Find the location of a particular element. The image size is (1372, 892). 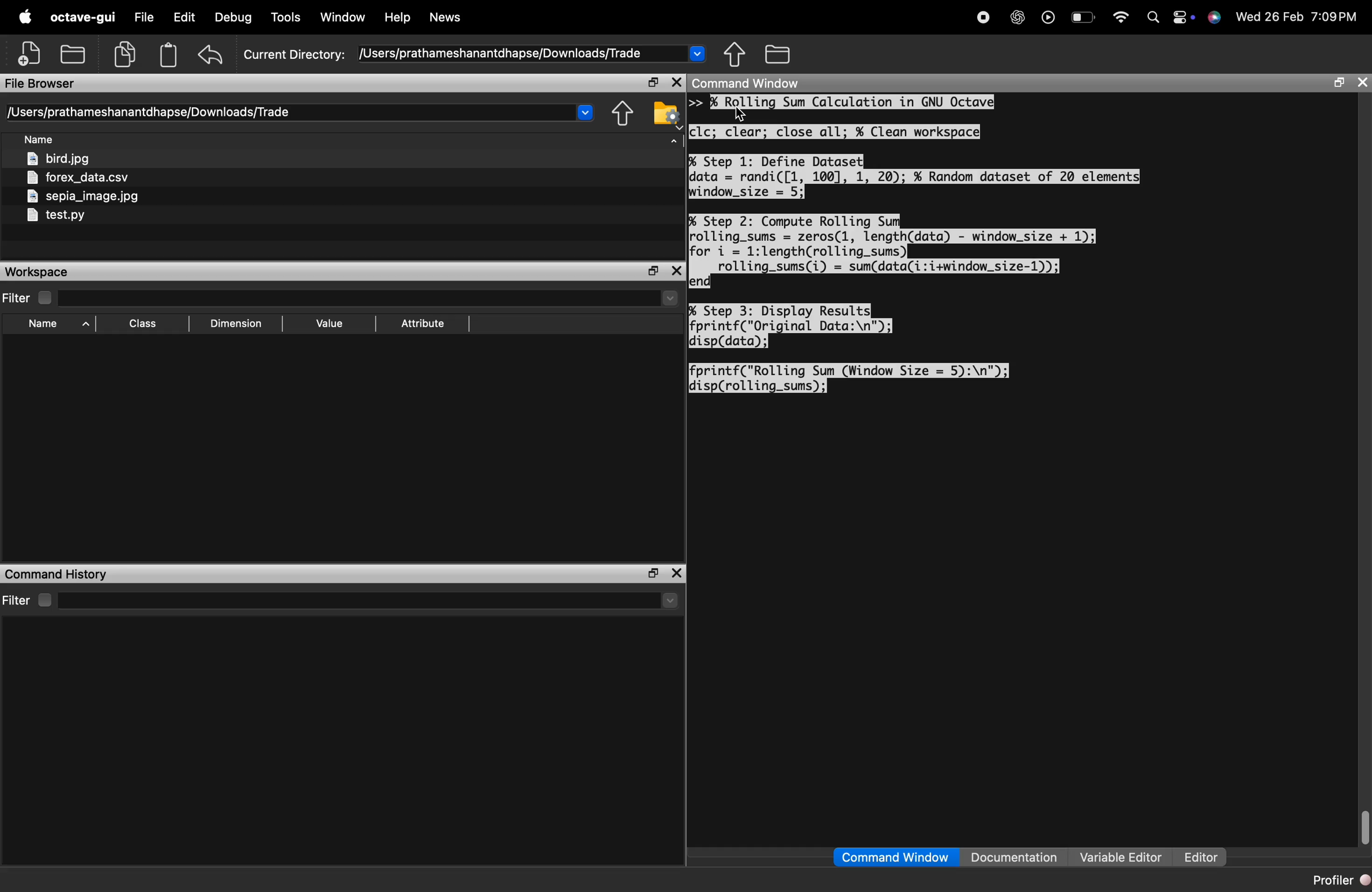

filter is located at coordinates (31, 599).